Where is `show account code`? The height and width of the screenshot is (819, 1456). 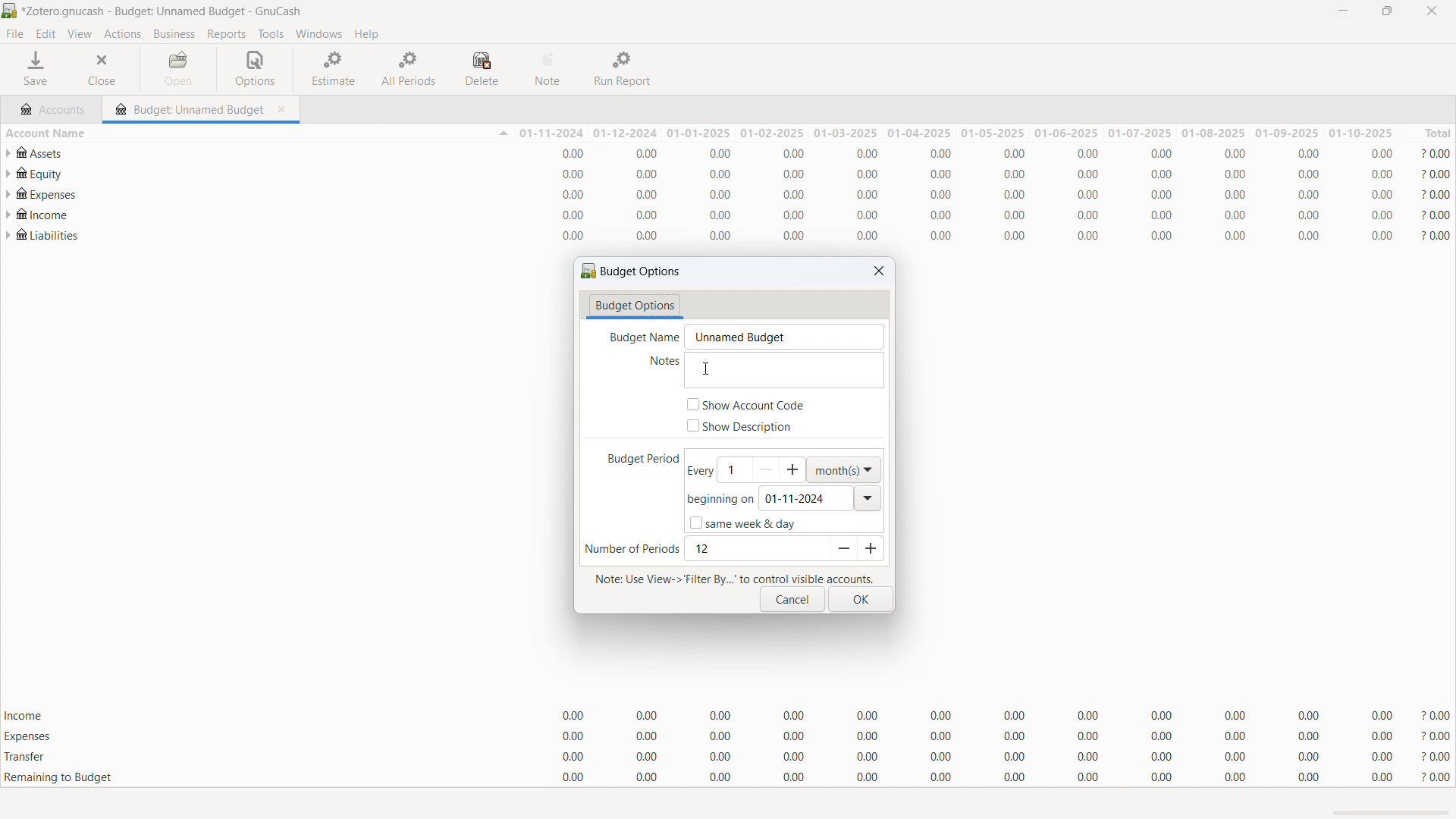
show account code is located at coordinates (746, 404).